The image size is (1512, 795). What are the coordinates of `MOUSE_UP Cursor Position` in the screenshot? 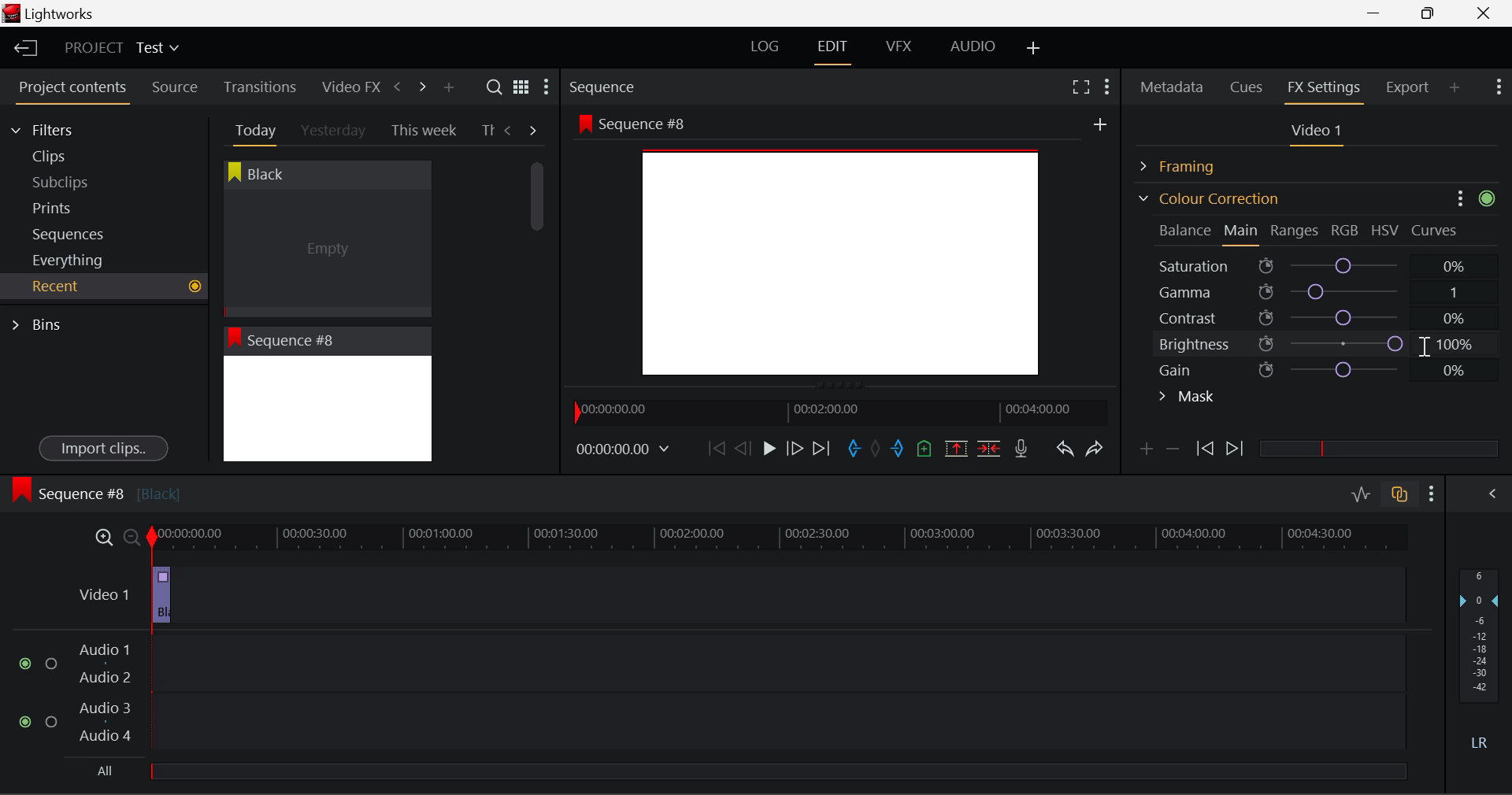 It's located at (1428, 348).